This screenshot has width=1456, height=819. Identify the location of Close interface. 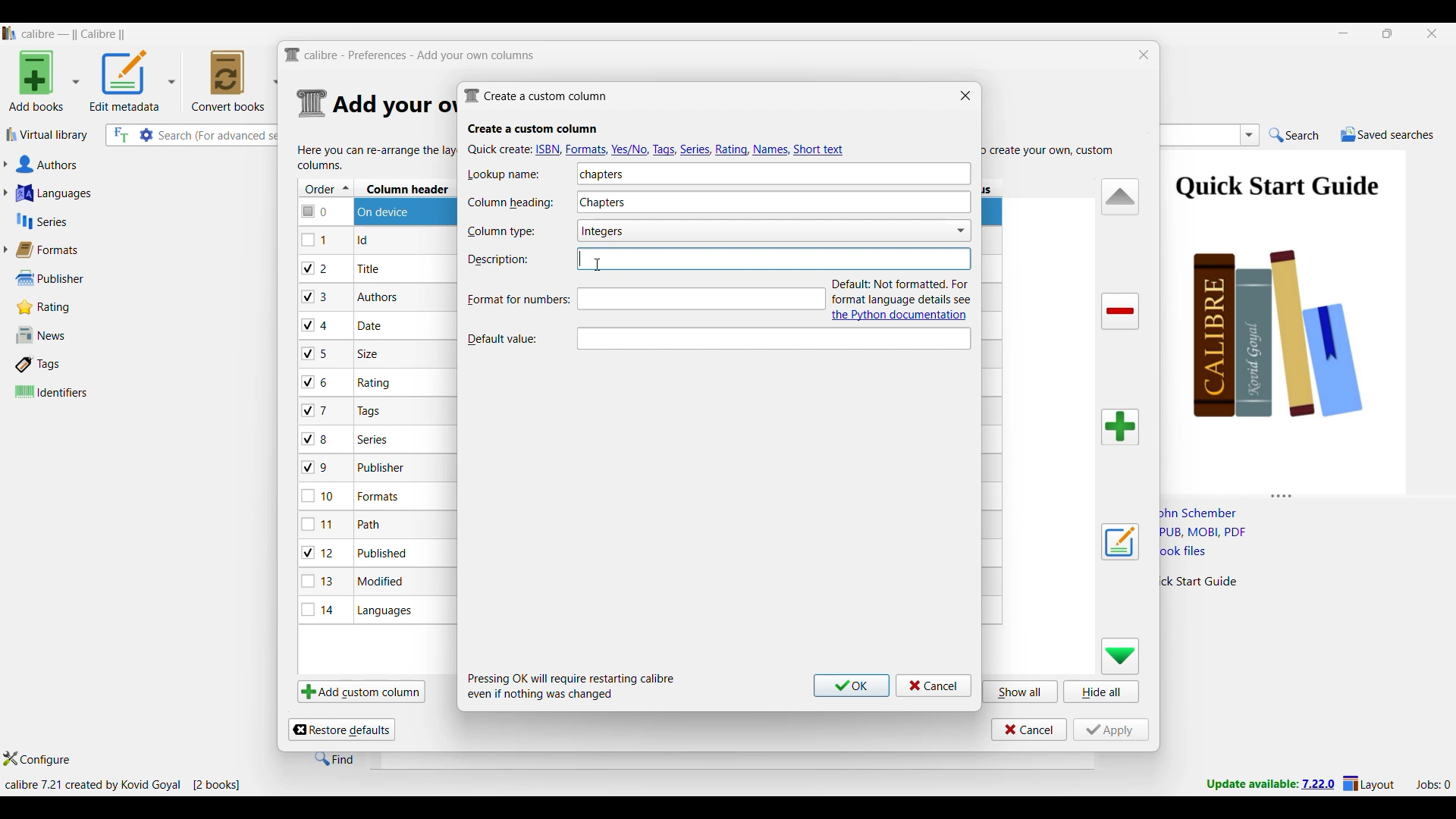
(1432, 33).